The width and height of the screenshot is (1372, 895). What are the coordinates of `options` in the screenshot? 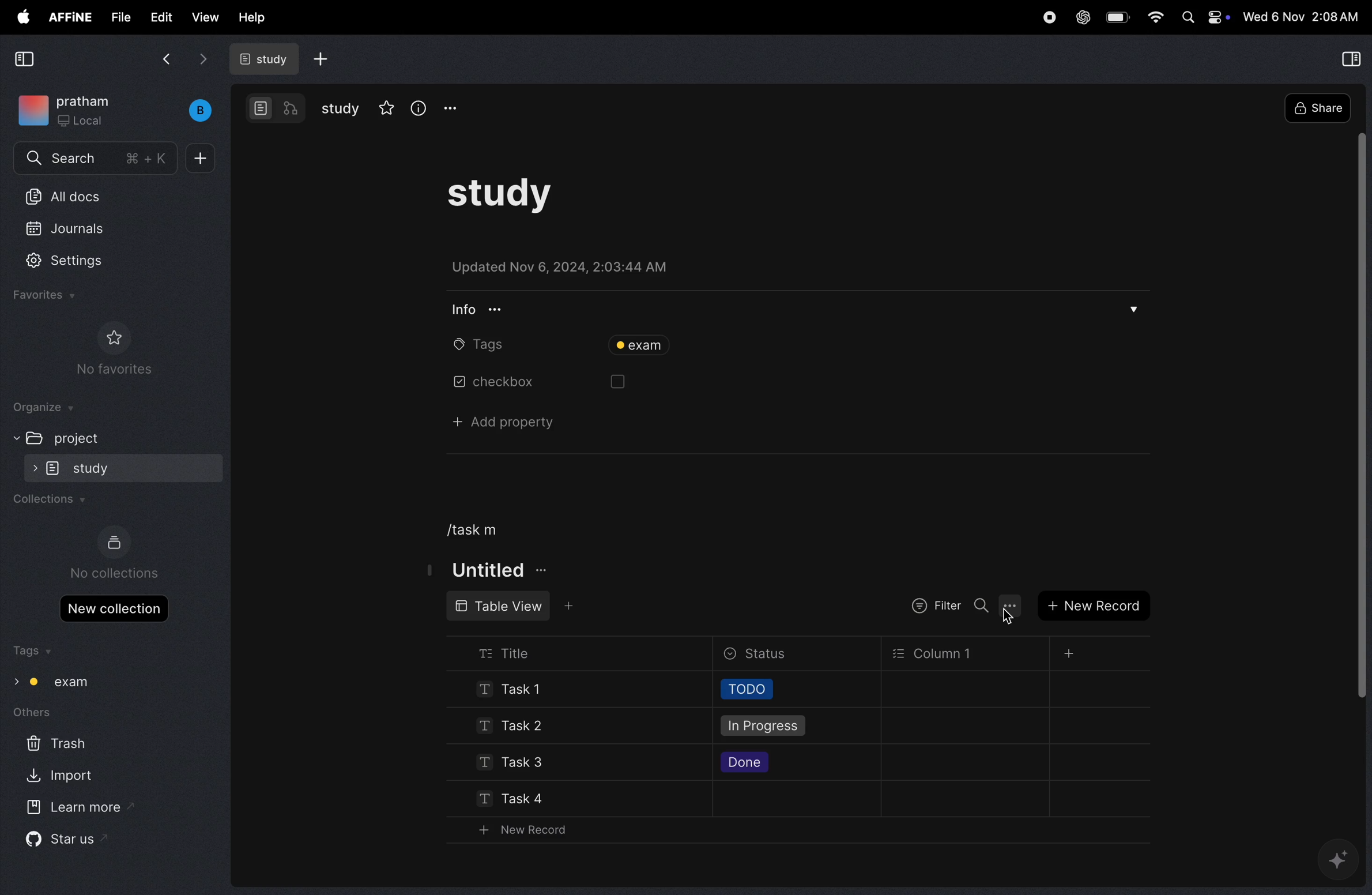 It's located at (457, 108).